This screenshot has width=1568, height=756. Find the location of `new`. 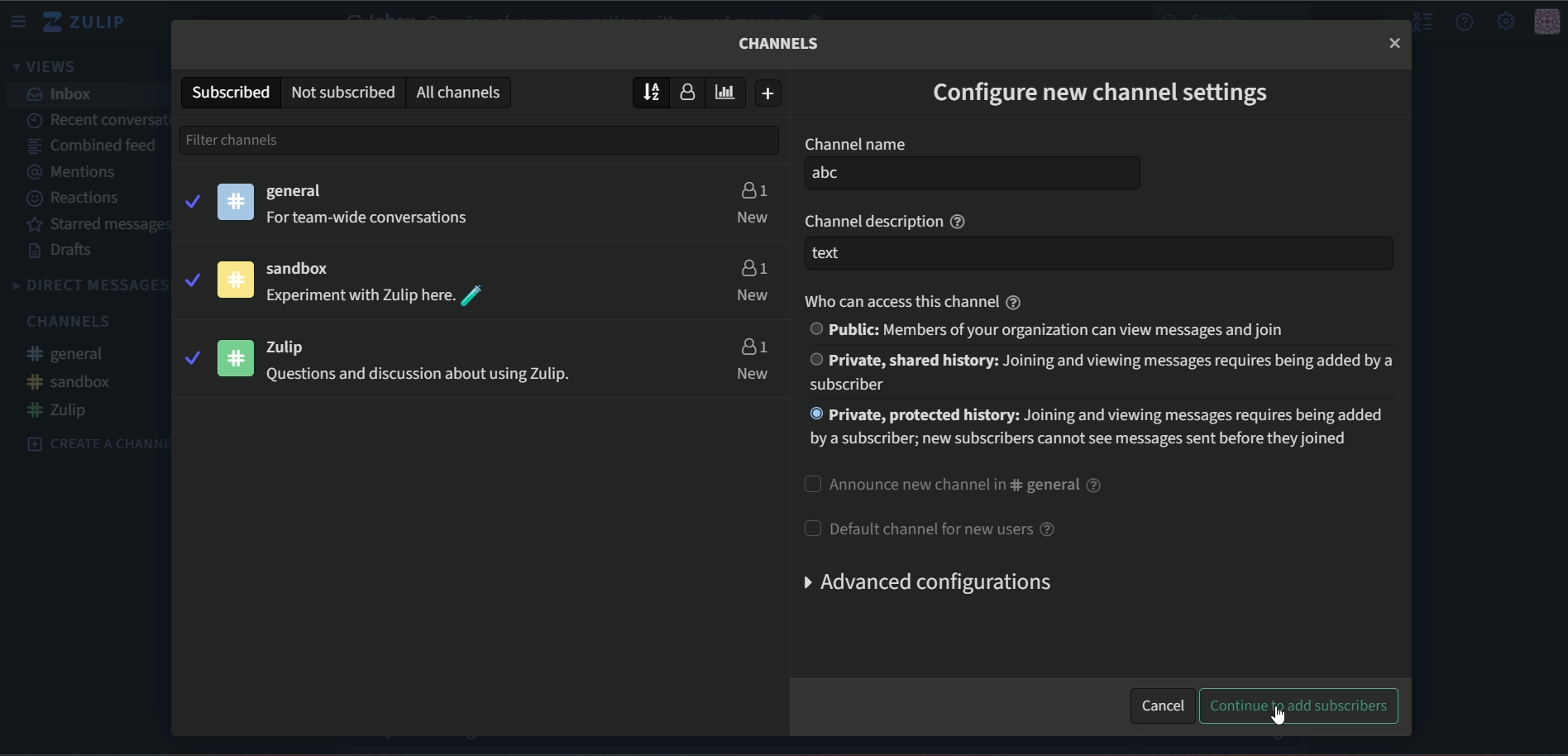

new is located at coordinates (753, 296).